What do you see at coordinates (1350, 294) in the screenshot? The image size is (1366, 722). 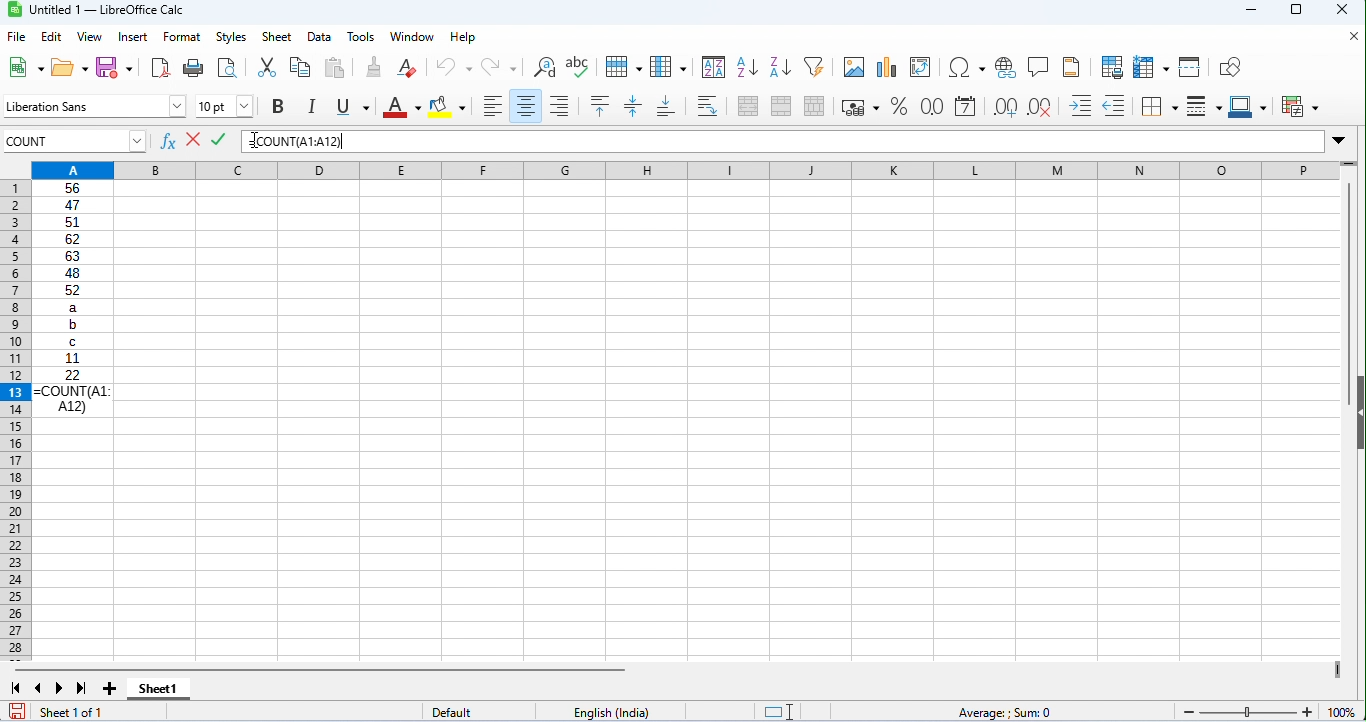 I see `Vertical slide bar` at bounding box center [1350, 294].